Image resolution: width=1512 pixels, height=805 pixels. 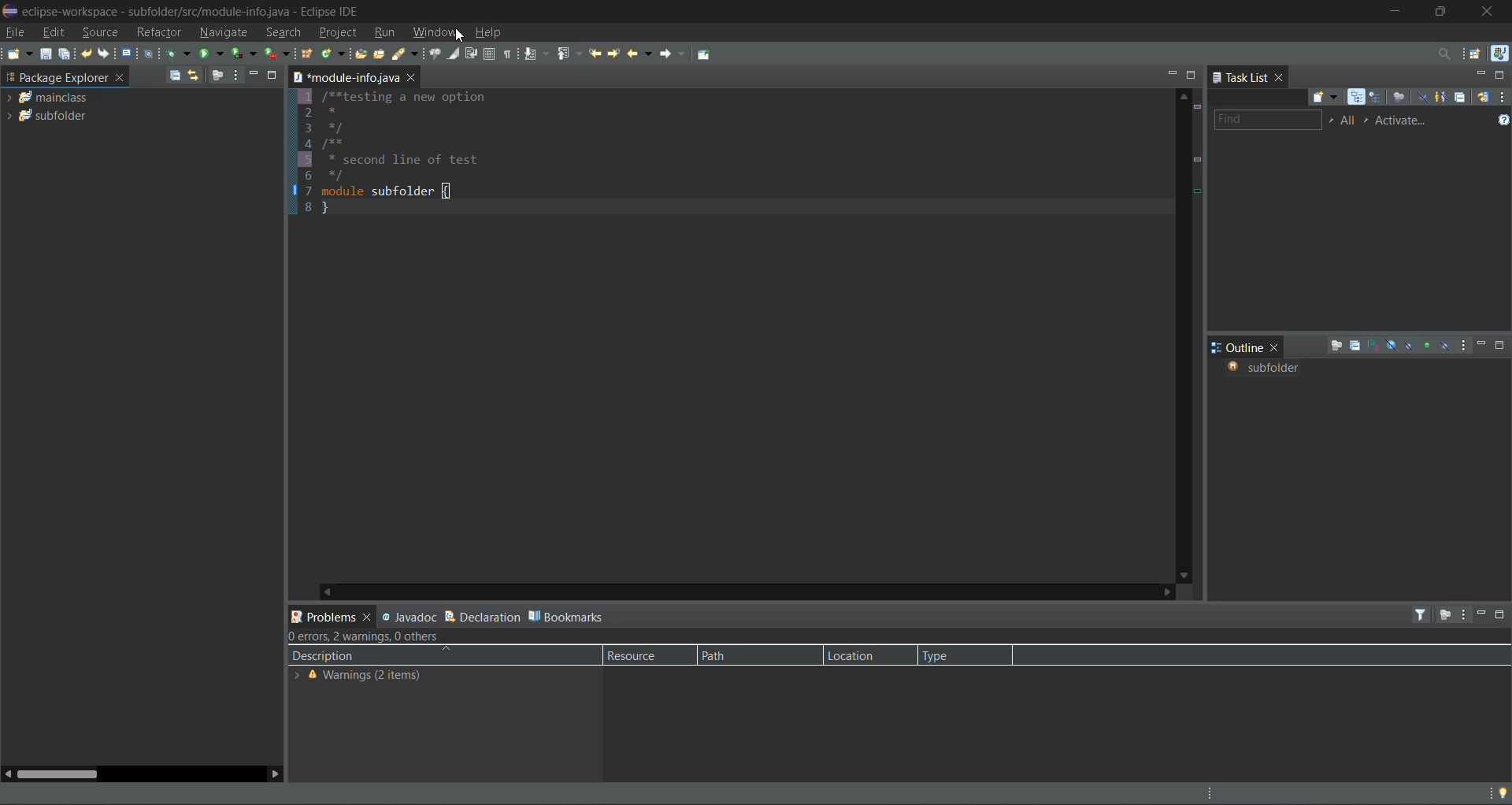 What do you see at coordinates (308, 54) in the screenshot?
I see `new java package` at bounding box center [308, 54].